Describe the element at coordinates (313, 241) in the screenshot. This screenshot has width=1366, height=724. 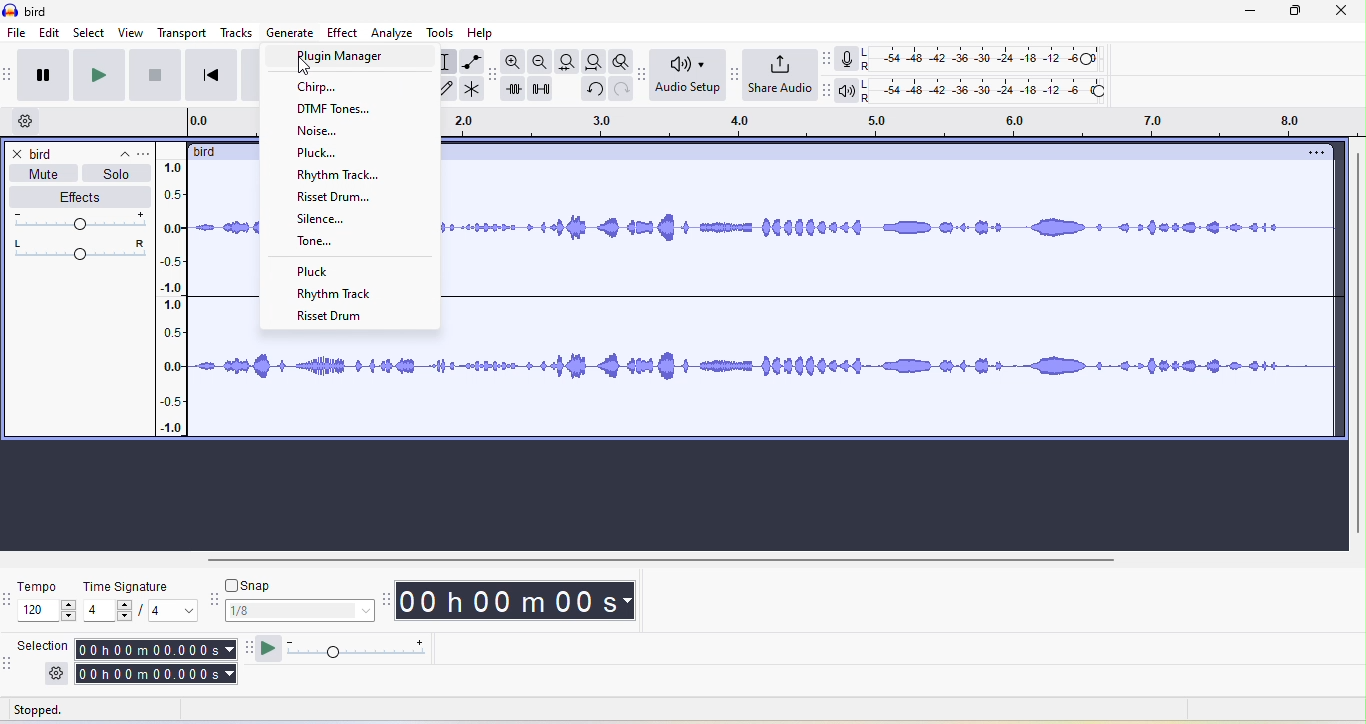
I see `tone` at that location.